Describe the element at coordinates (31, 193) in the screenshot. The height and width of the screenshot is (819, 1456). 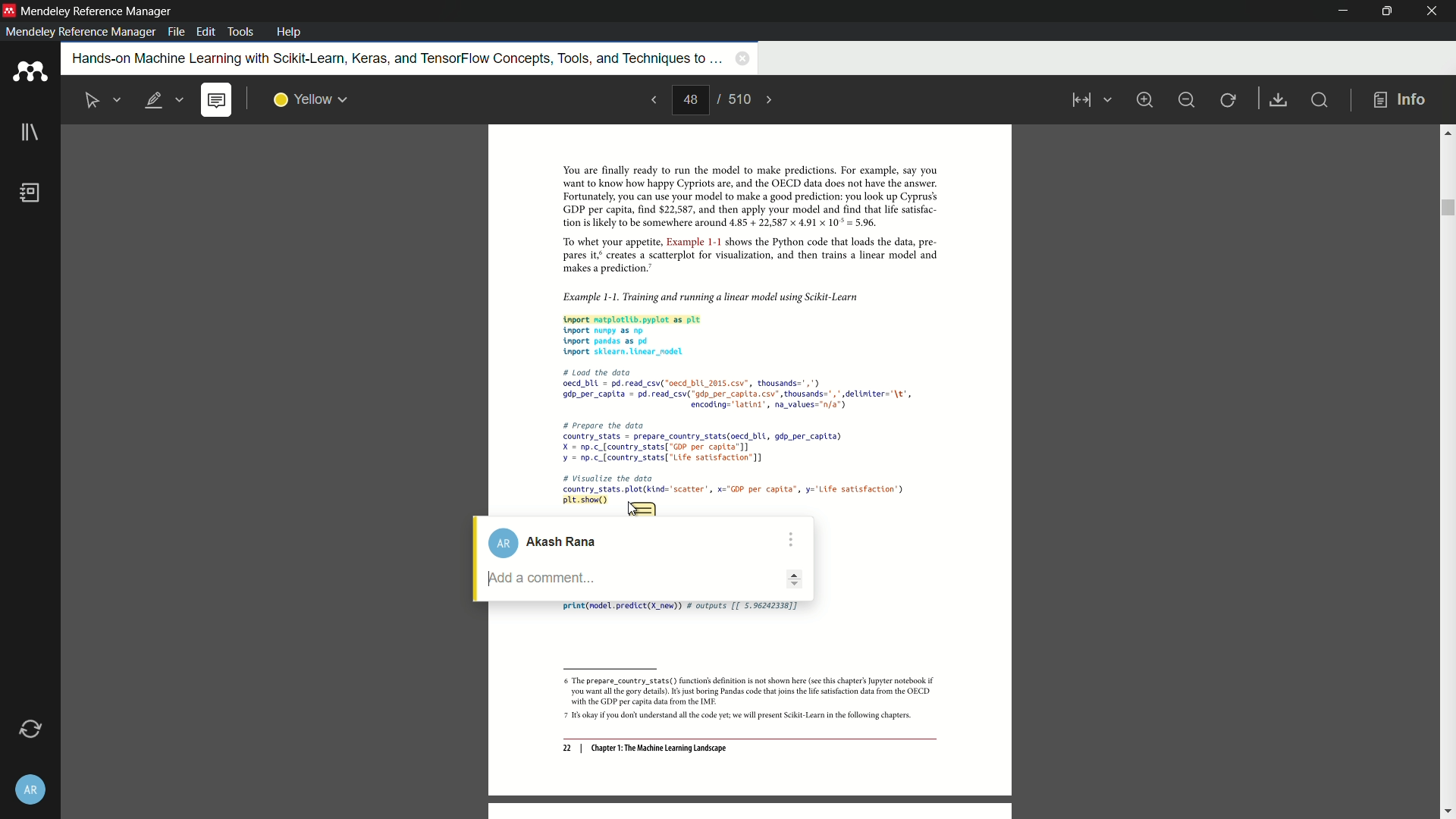
I see `book` at that location.